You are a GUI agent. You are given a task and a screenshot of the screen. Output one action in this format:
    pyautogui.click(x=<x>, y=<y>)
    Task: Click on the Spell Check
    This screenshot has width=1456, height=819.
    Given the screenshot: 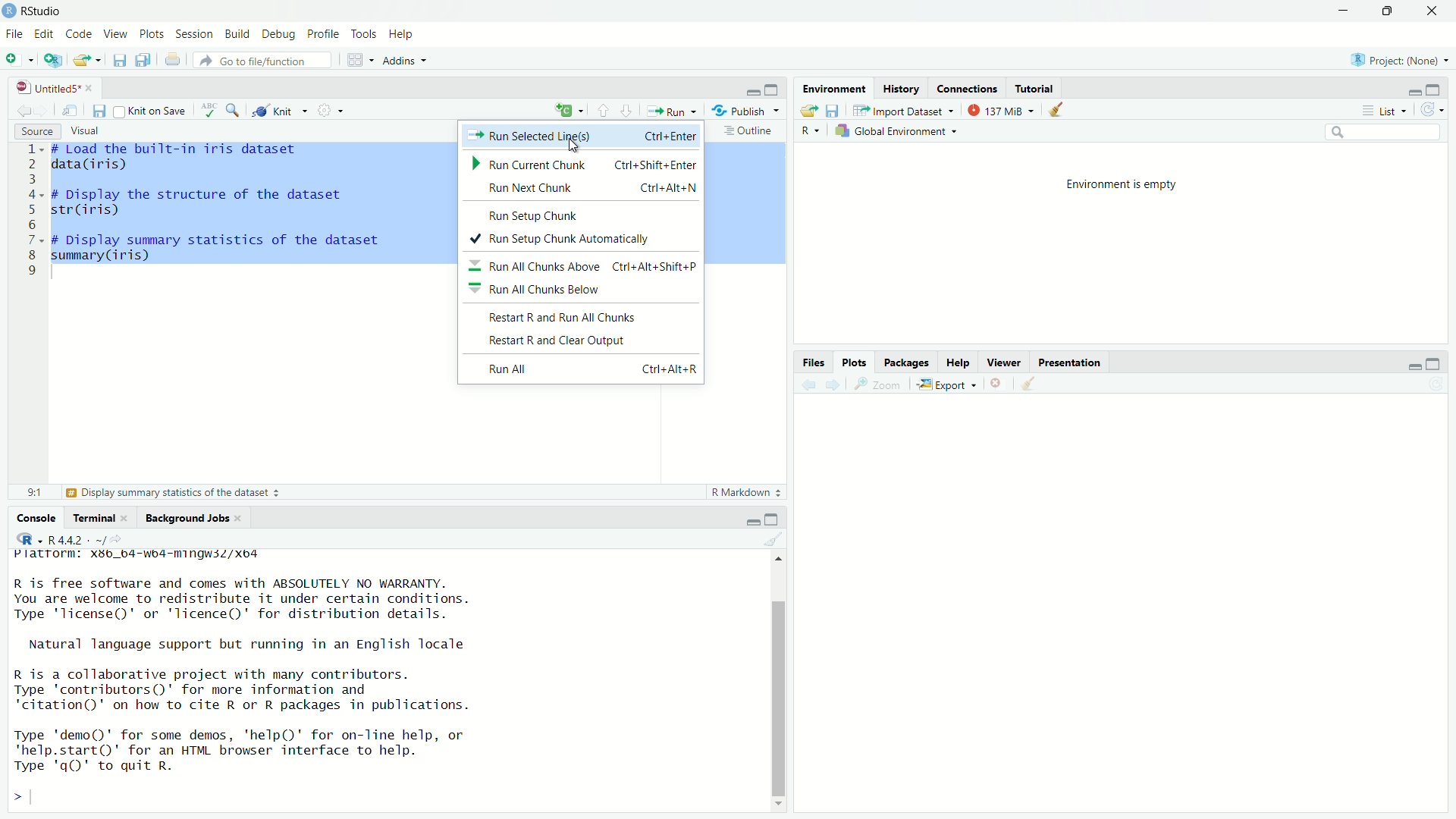 What is the action you would take?
    pyautogui.click(x=209, y=111)
    